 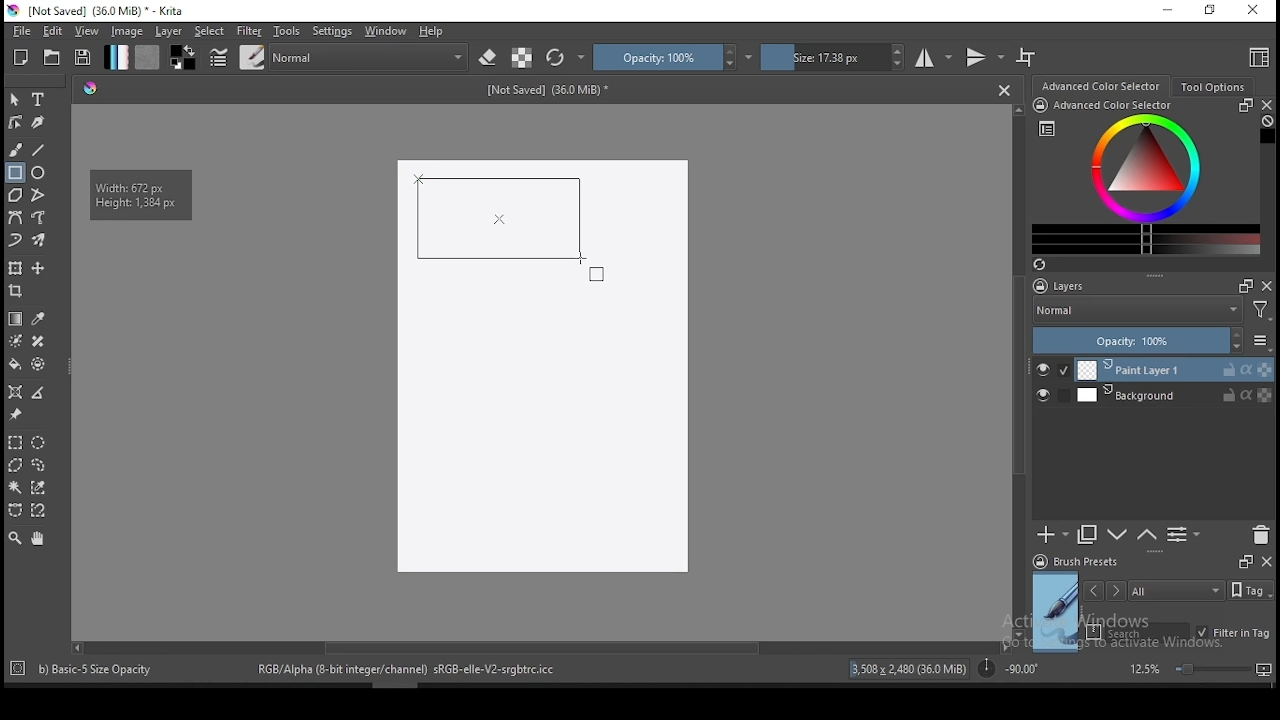 I want to click on advance color selector, so click(x=1103, y=85).